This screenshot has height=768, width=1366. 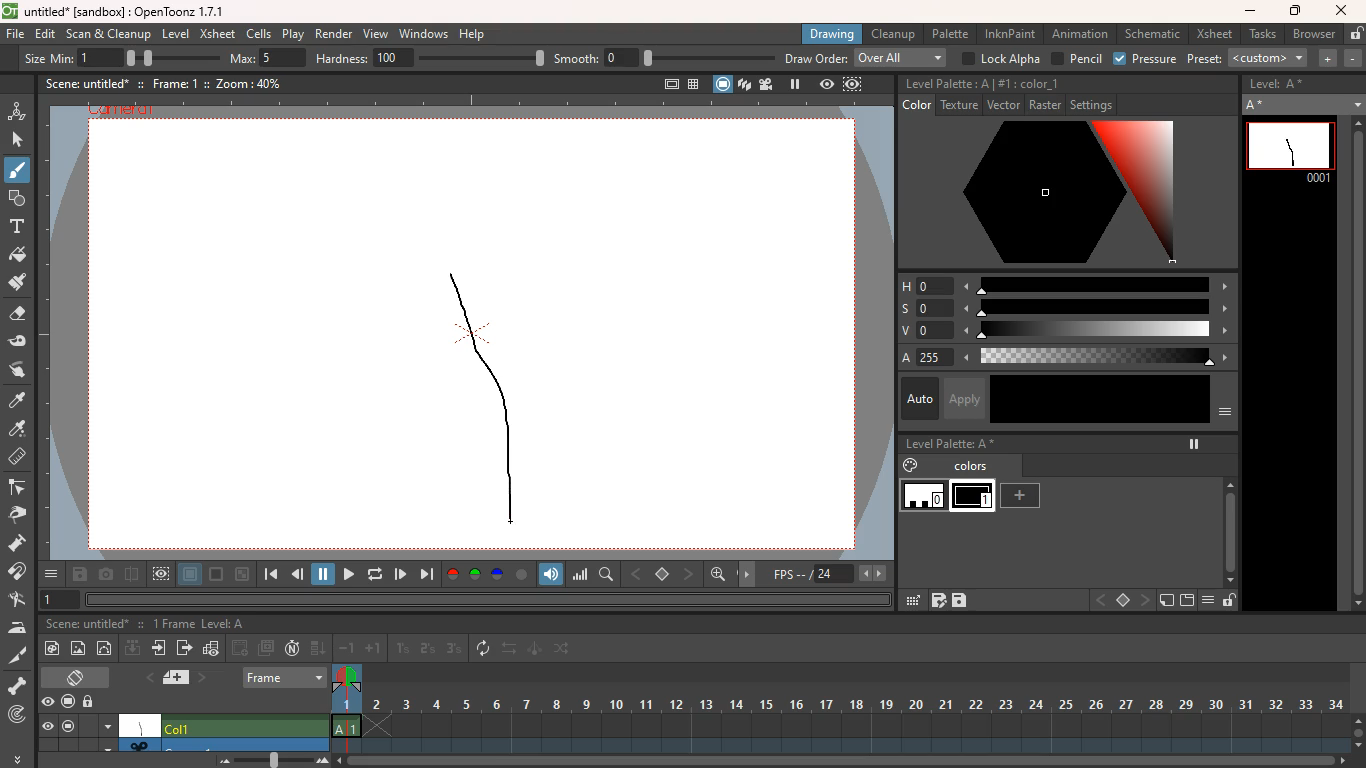 I want to click on move, so click(x=750, y=573).